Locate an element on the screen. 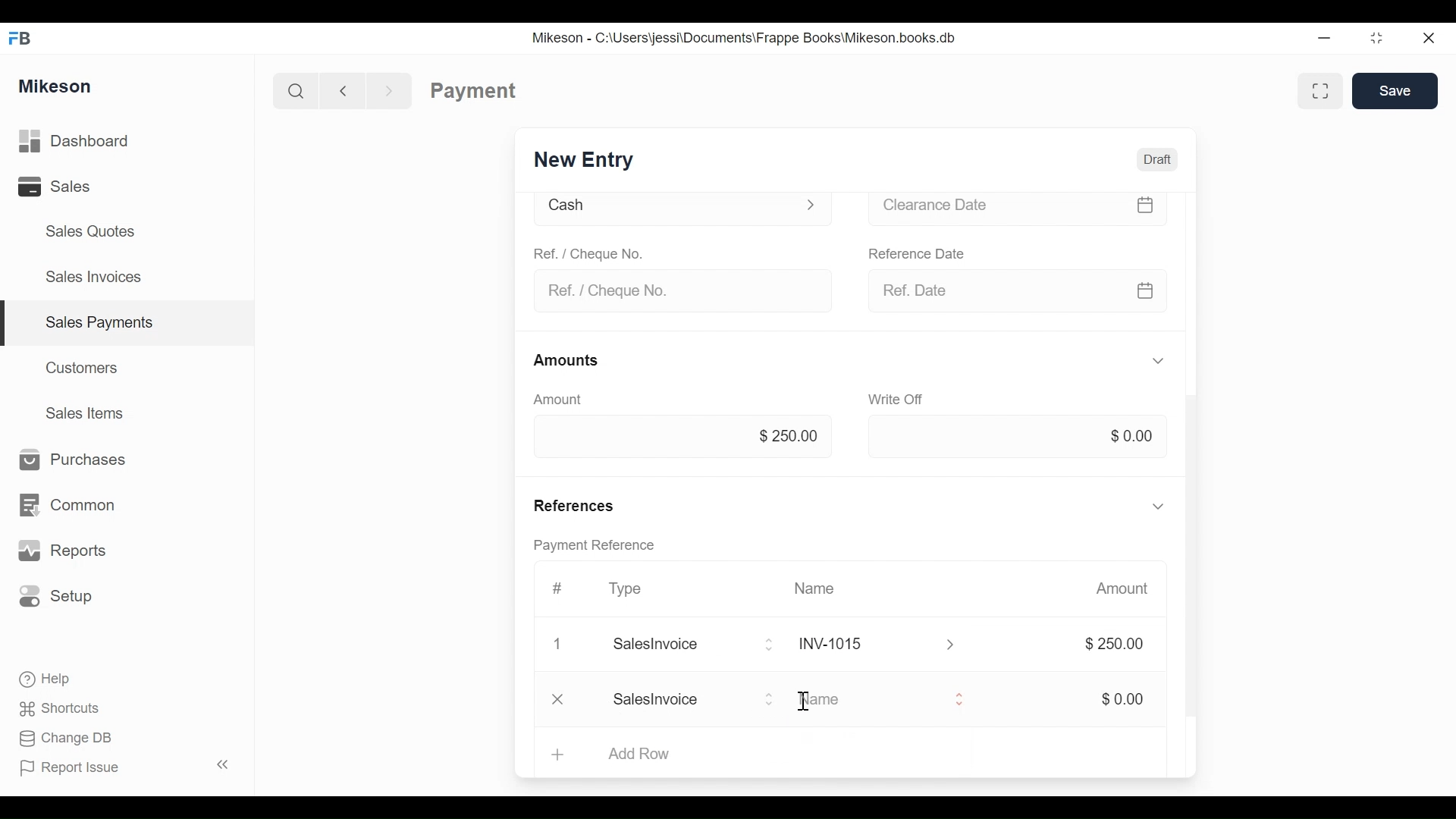 This screenshot has height=819, width=1456. Type is located at coordinates (626, 588).